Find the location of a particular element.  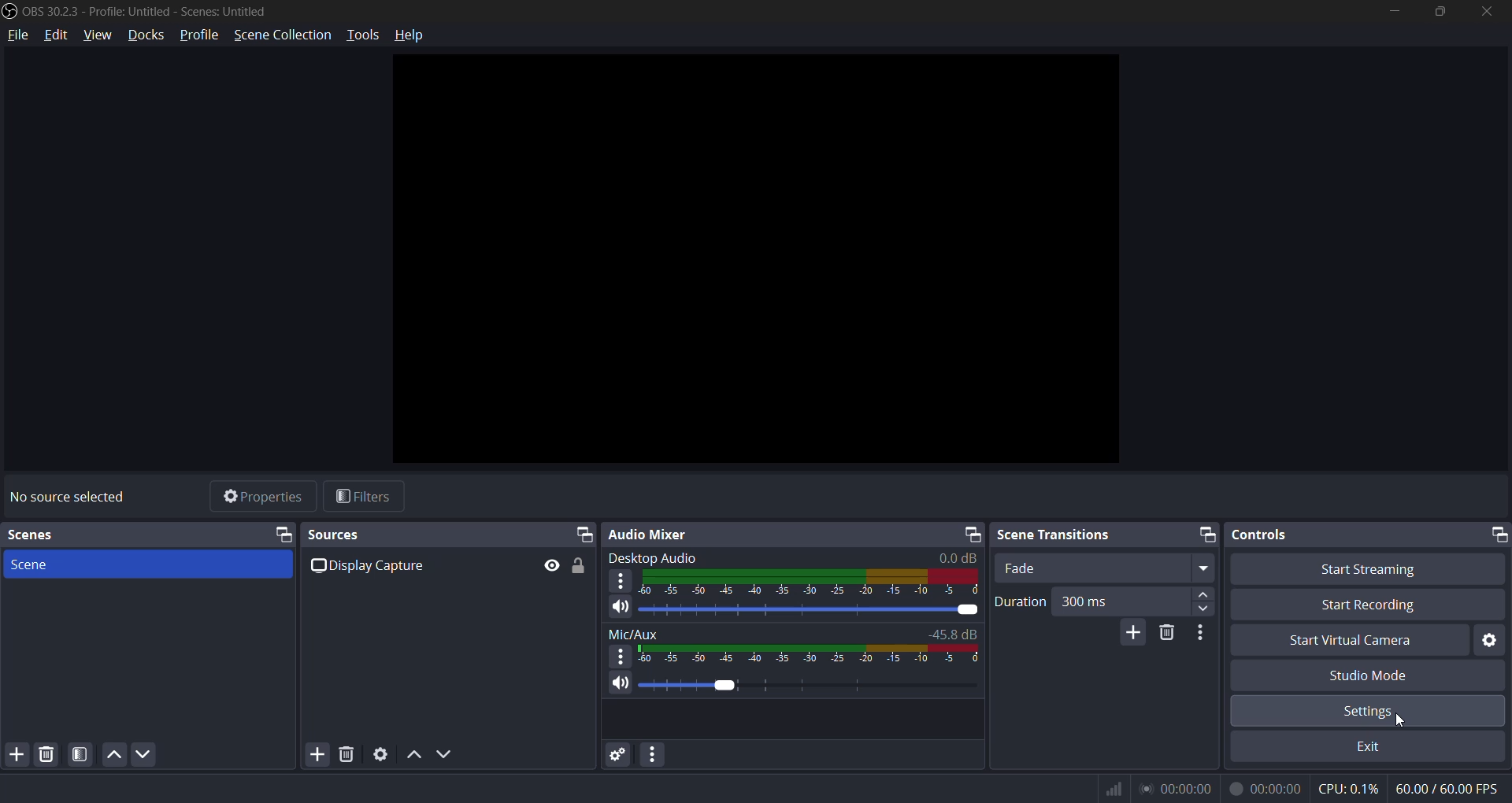

minimize is located at coordinates (1392, 13).